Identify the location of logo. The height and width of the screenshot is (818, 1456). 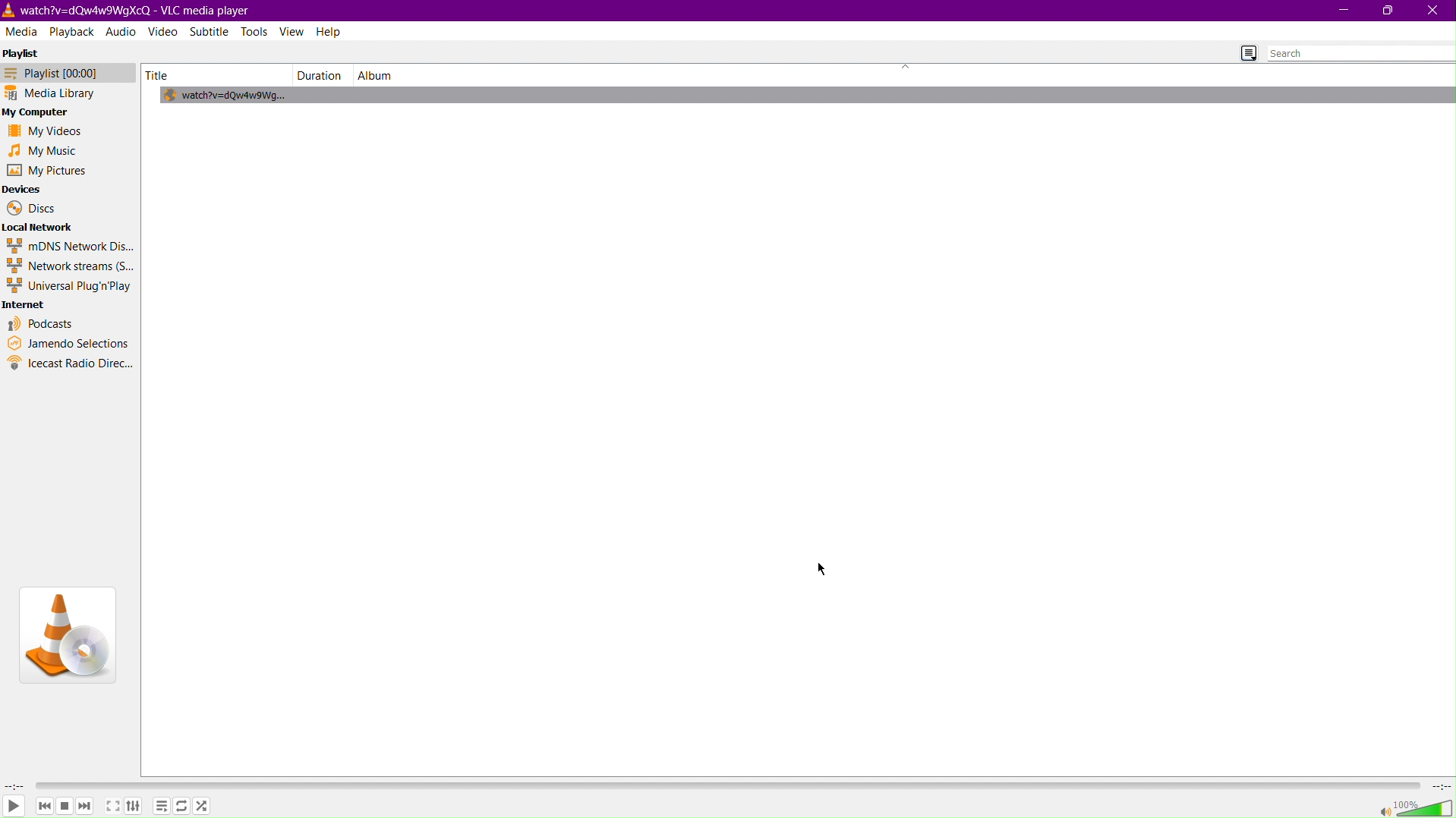
(9, 9).